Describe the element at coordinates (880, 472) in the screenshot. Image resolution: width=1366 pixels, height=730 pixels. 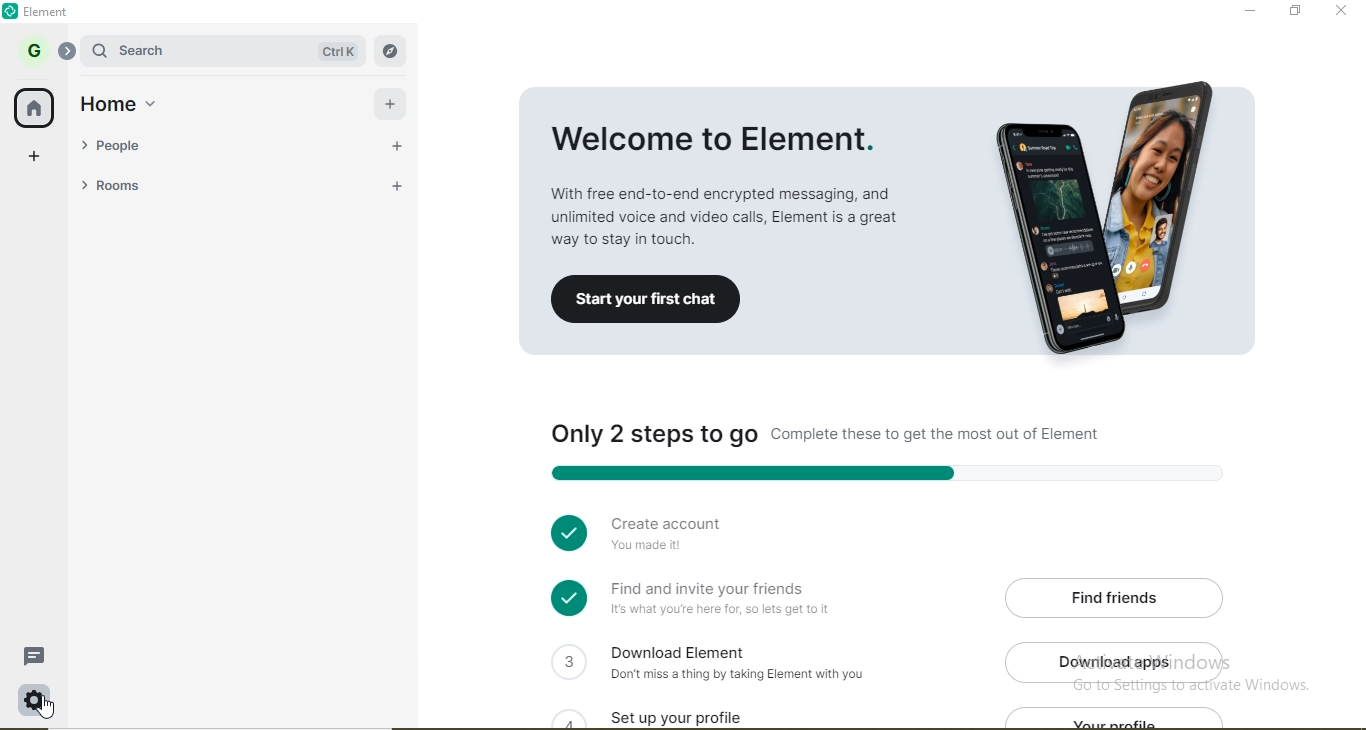
I see `progress` at that location.